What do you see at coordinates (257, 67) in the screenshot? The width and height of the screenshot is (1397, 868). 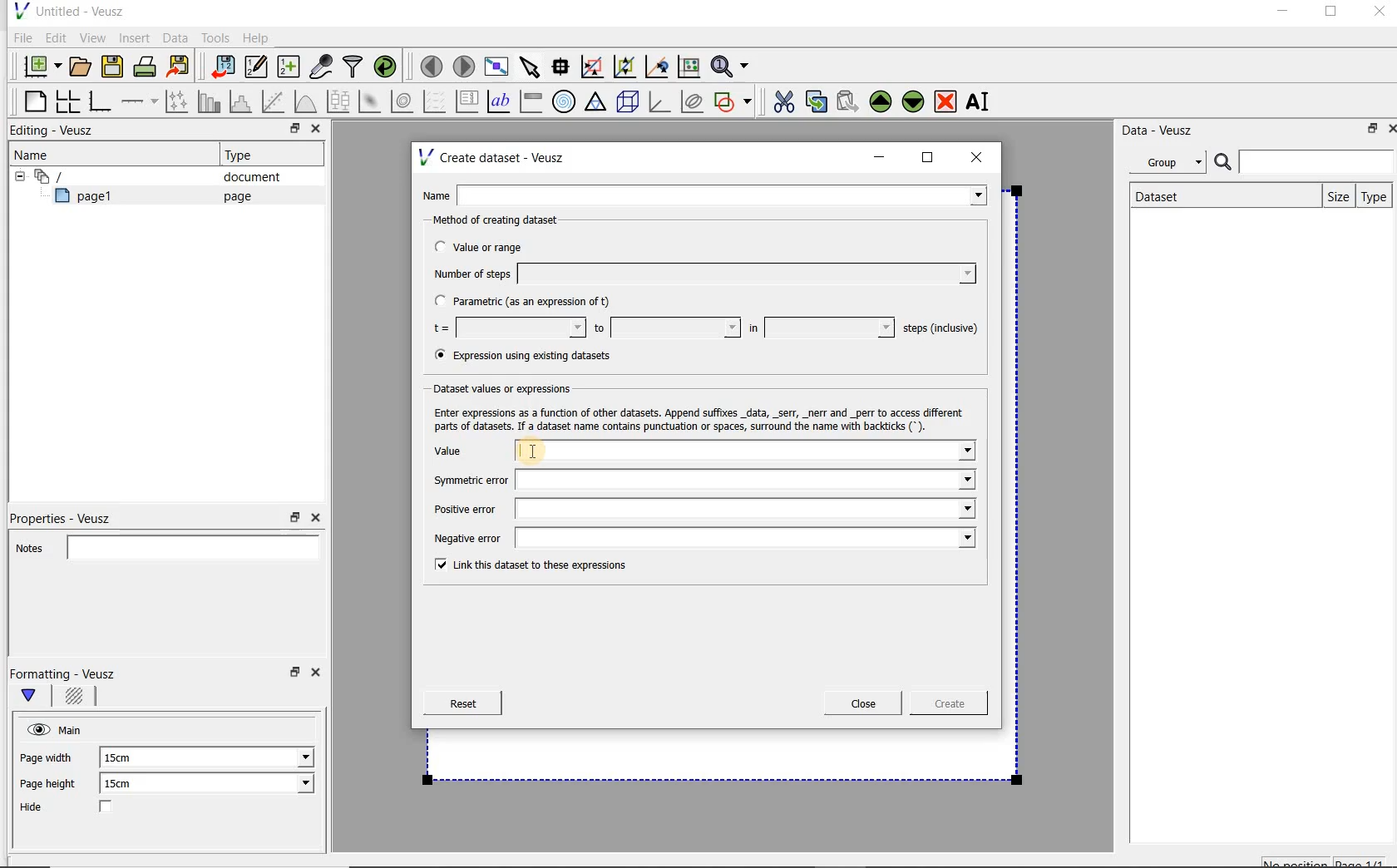 I see `Edit and enter new datasets` at bounding box center [257, 67].